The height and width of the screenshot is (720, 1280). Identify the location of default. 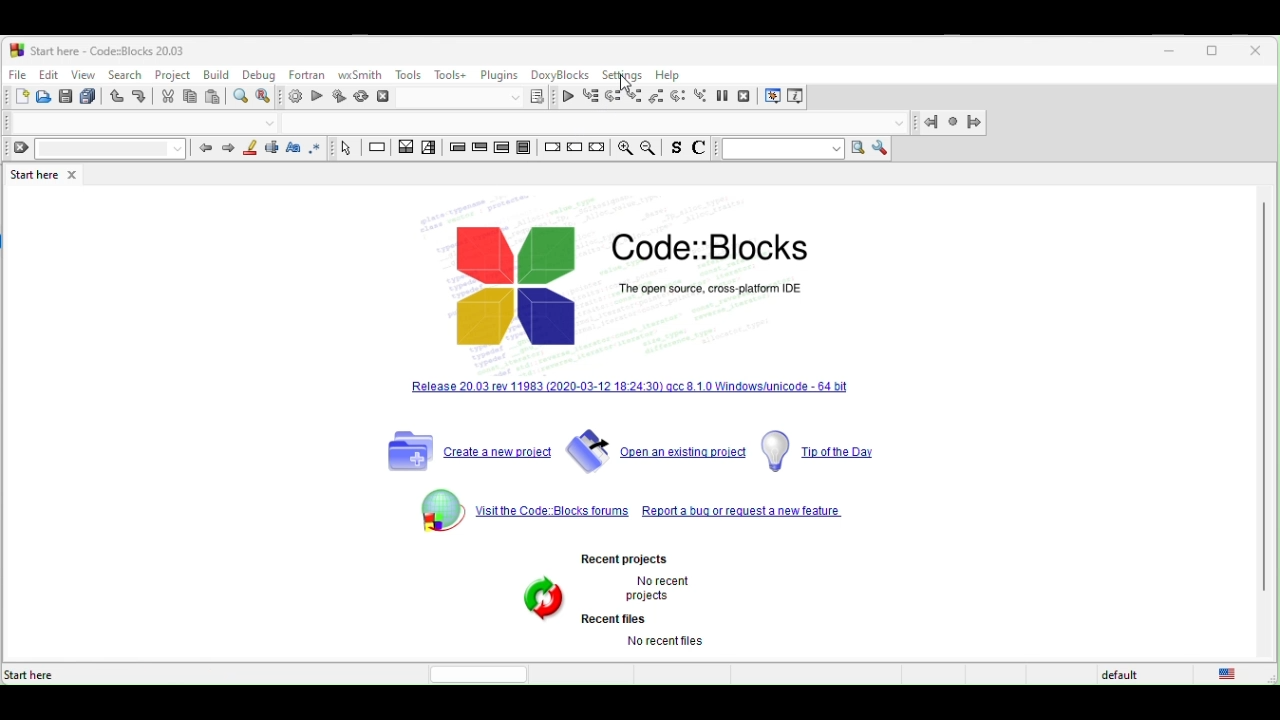
(1123, 675).